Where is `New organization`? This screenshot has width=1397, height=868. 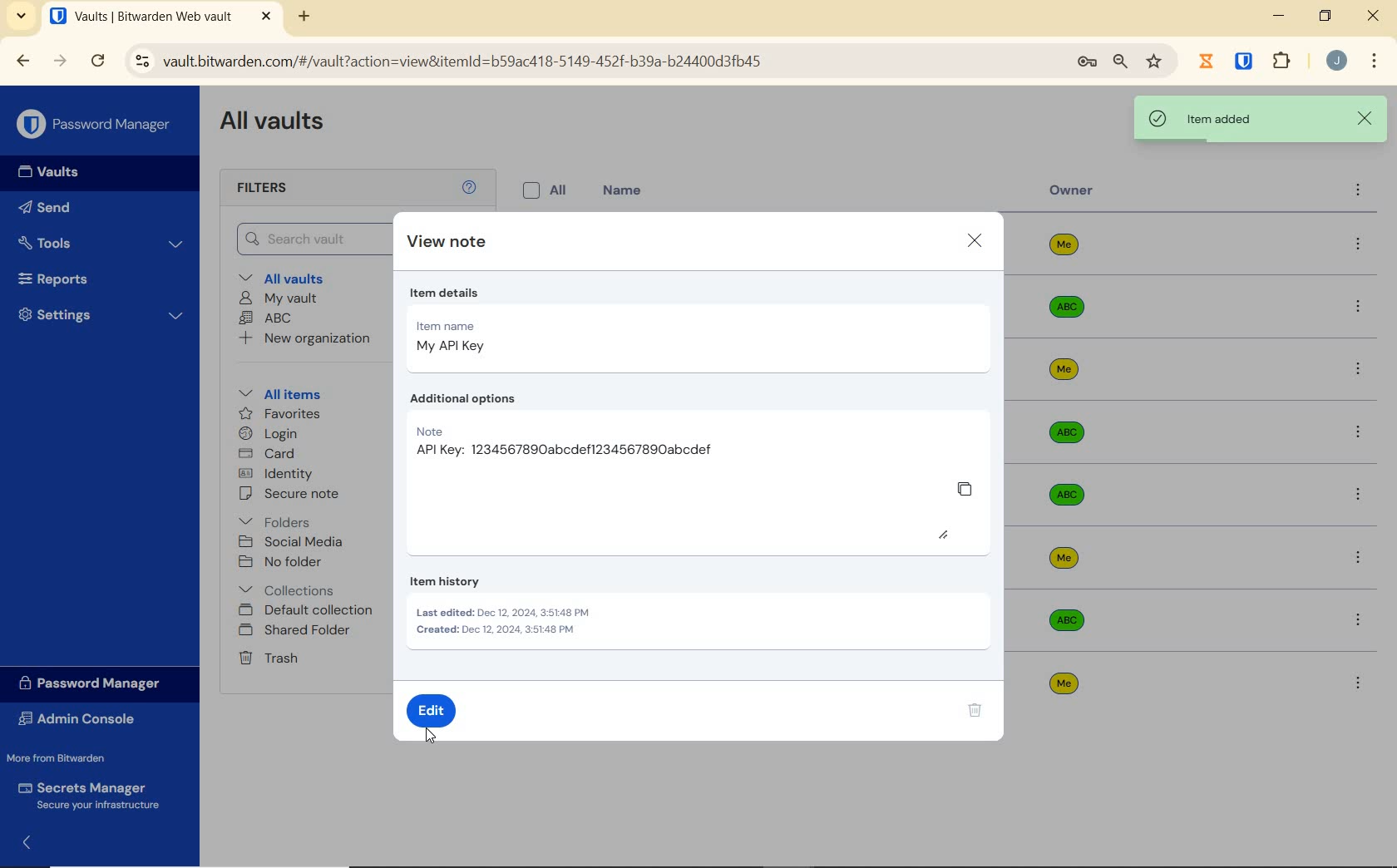 New organization is located at coordinates (305, 338).